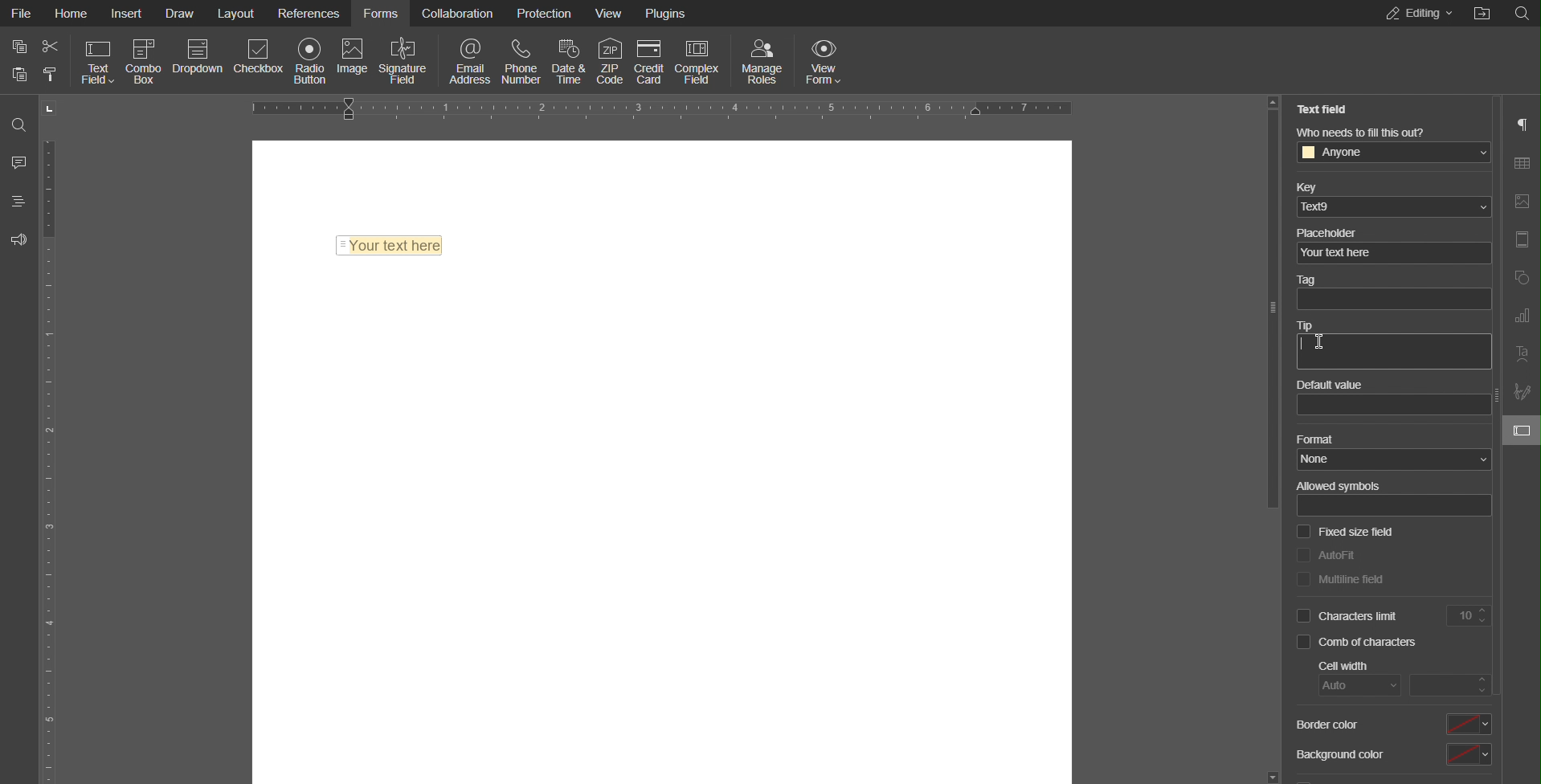 The image size is (1541, 784). Describe the element at coordinates (1483, 15) in the screenshot. I see `` at that location.